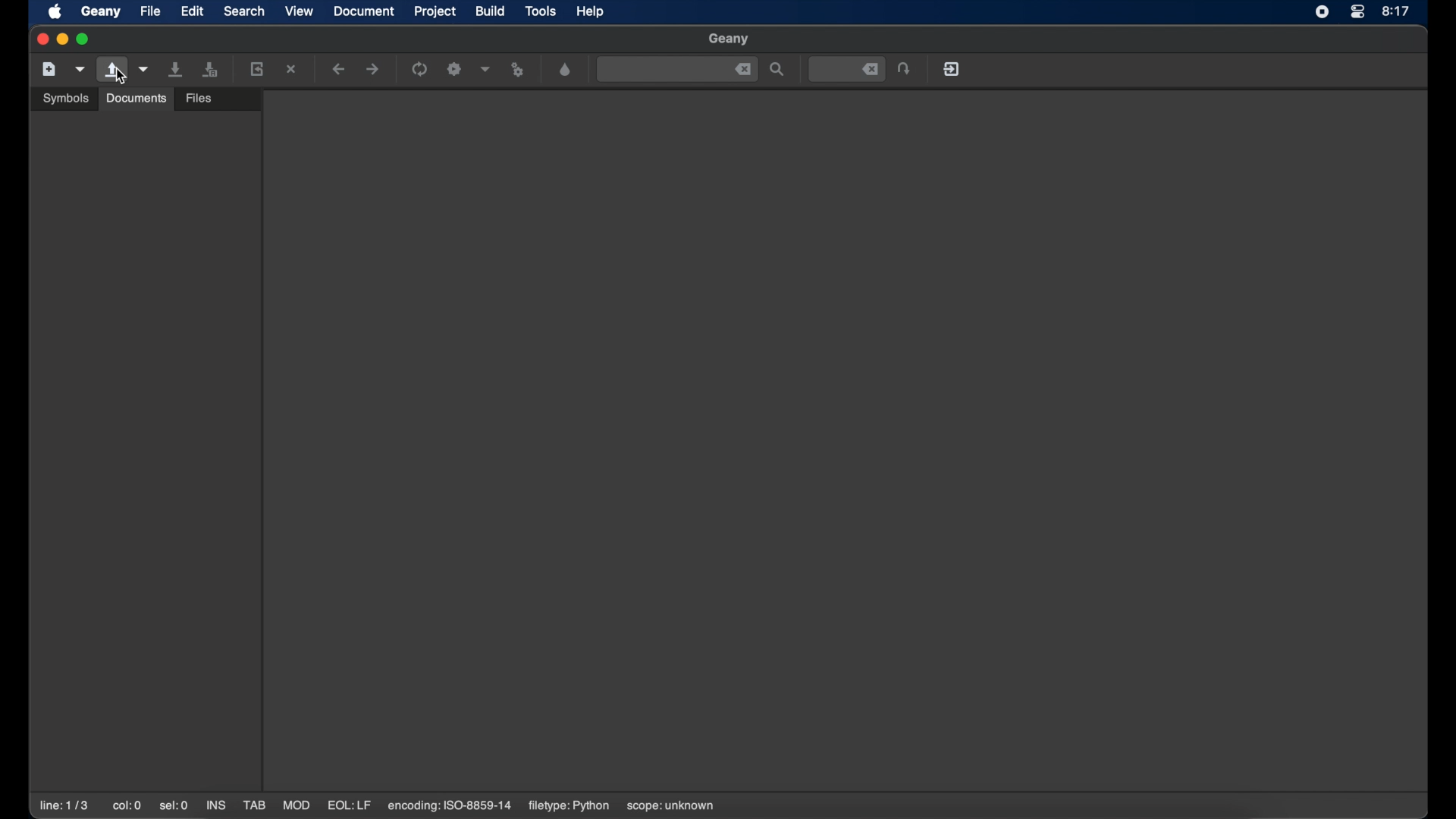 The image size is (1456, 819). Describe the element at coordinates (777, 69) in the screenshot. I see `find the entered text in current file` at that location.